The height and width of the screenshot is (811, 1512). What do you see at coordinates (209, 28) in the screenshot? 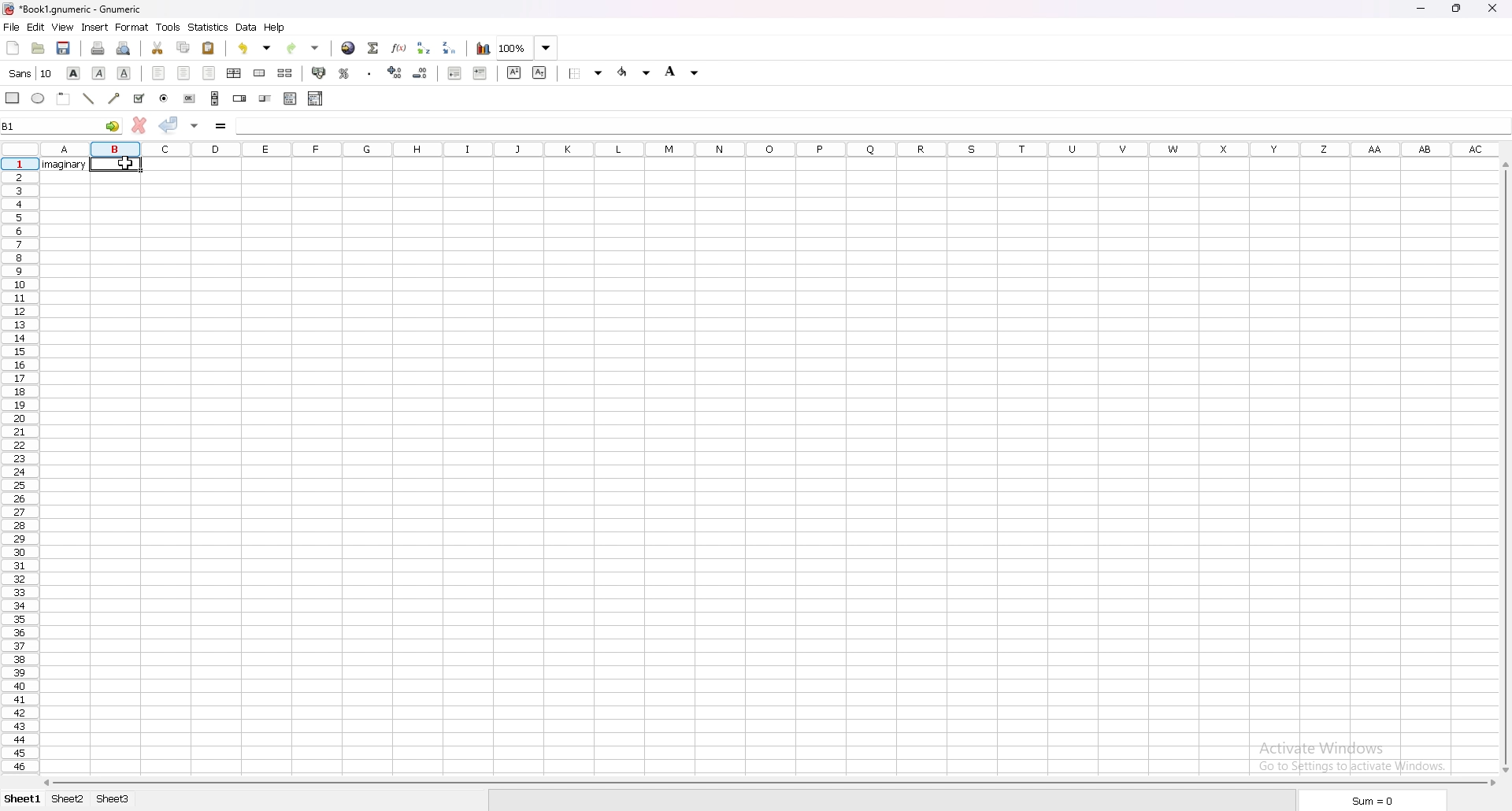
I see `statistics` at bounding box center [209, 28].